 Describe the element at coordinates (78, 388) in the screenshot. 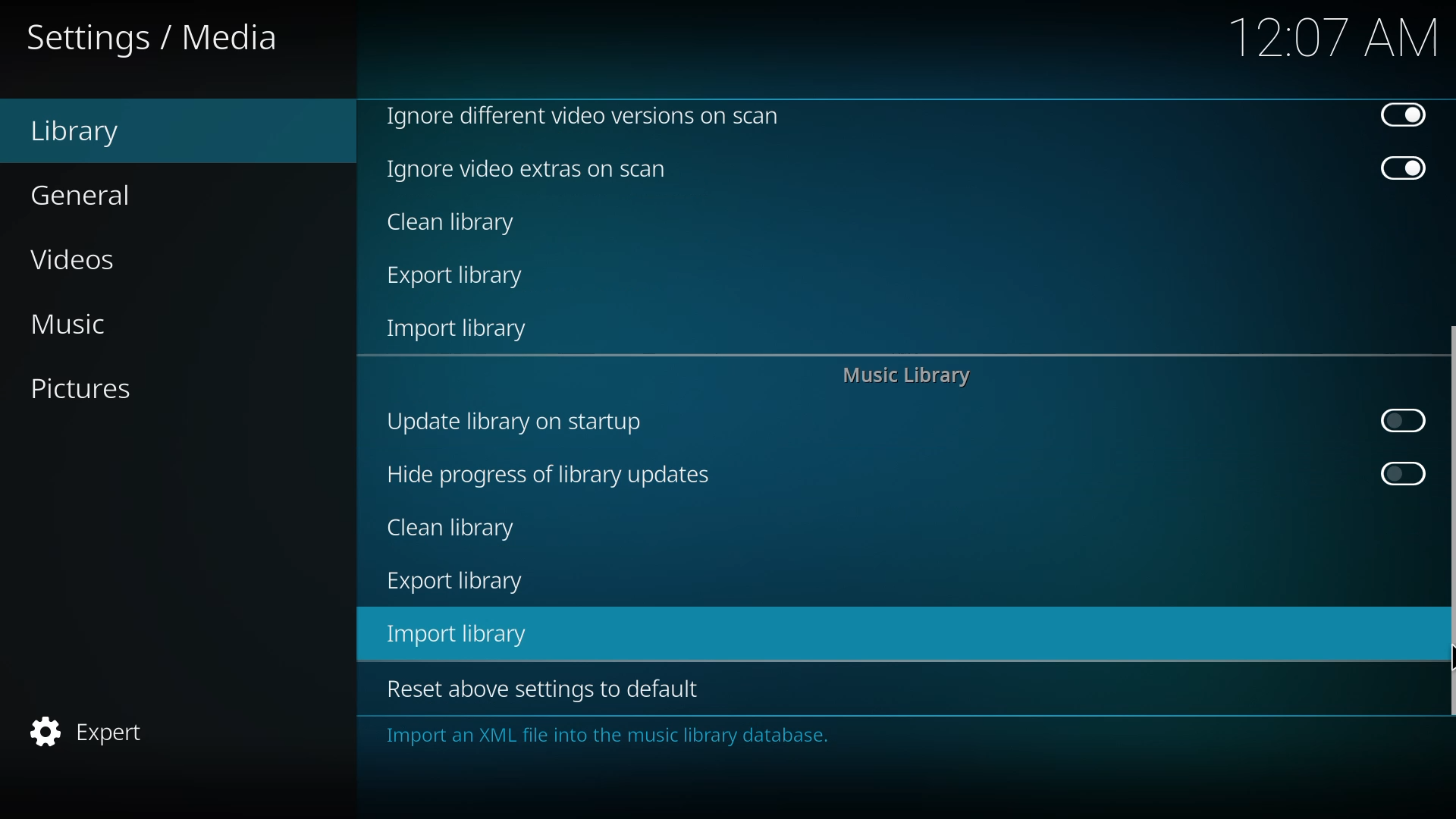

I see `pictures` at that location.